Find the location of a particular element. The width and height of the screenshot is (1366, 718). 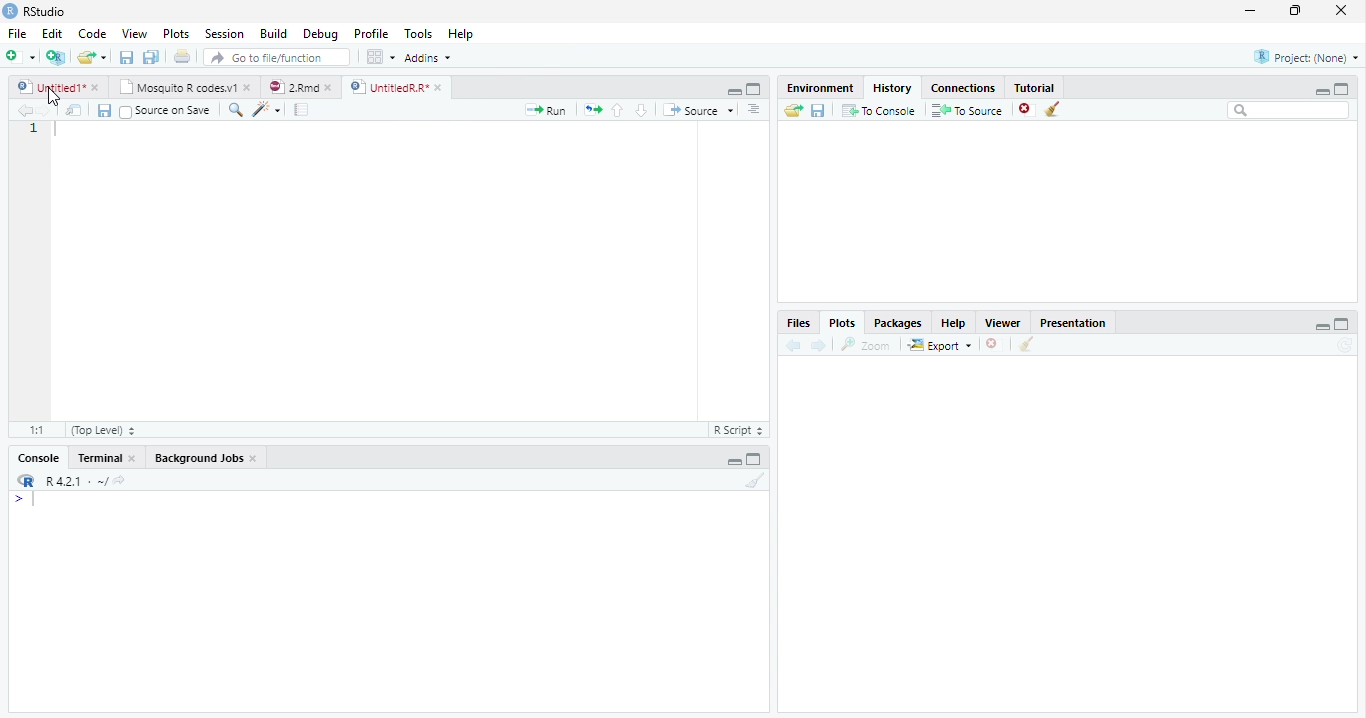

File is located at coordinates (17, 33).